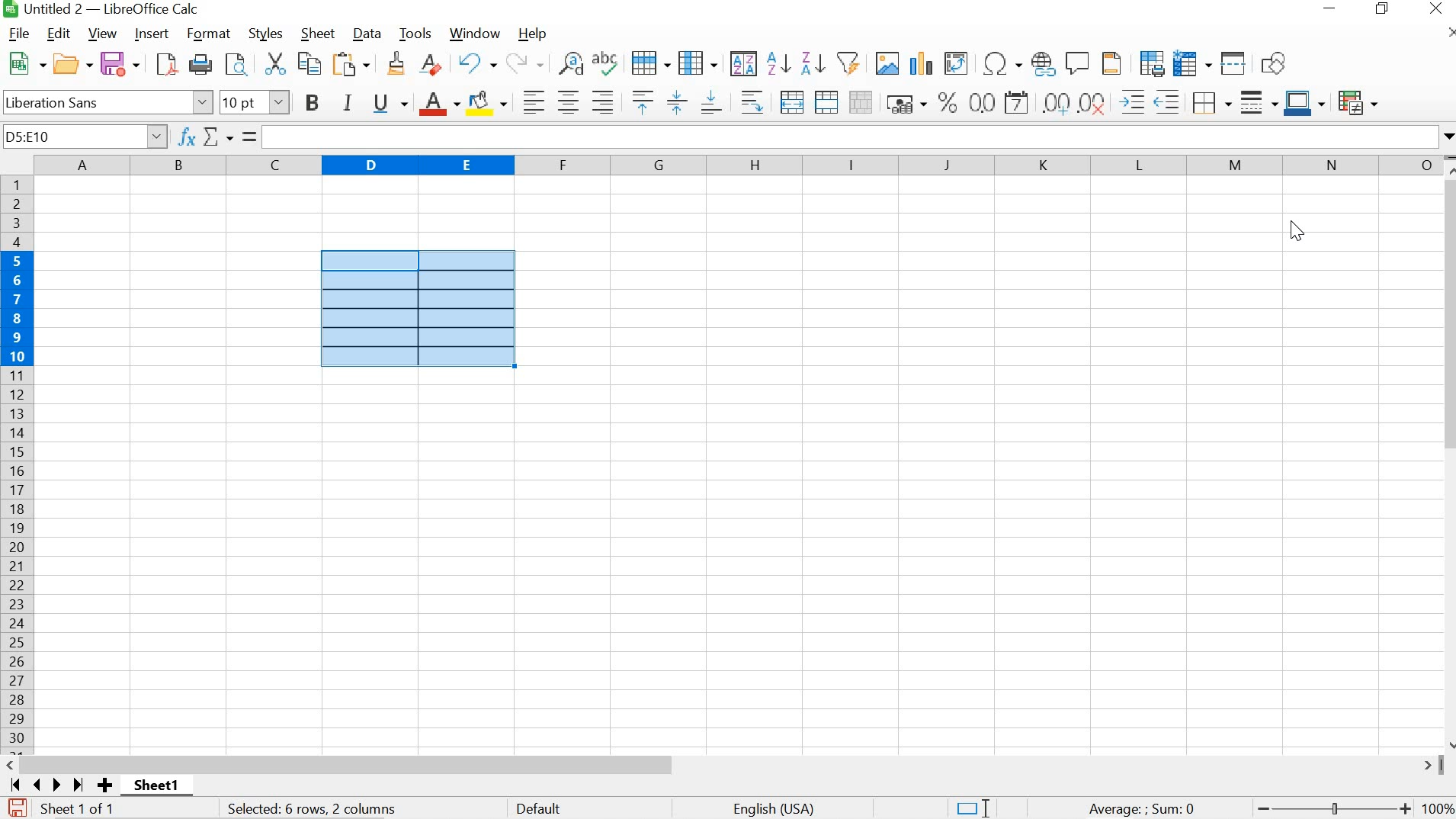 The image size is (1456, 819). What do you see at coordinates (568, 101) in the screenshot?
I see `ALIGN CENTER` at bounding box center [568, 101].